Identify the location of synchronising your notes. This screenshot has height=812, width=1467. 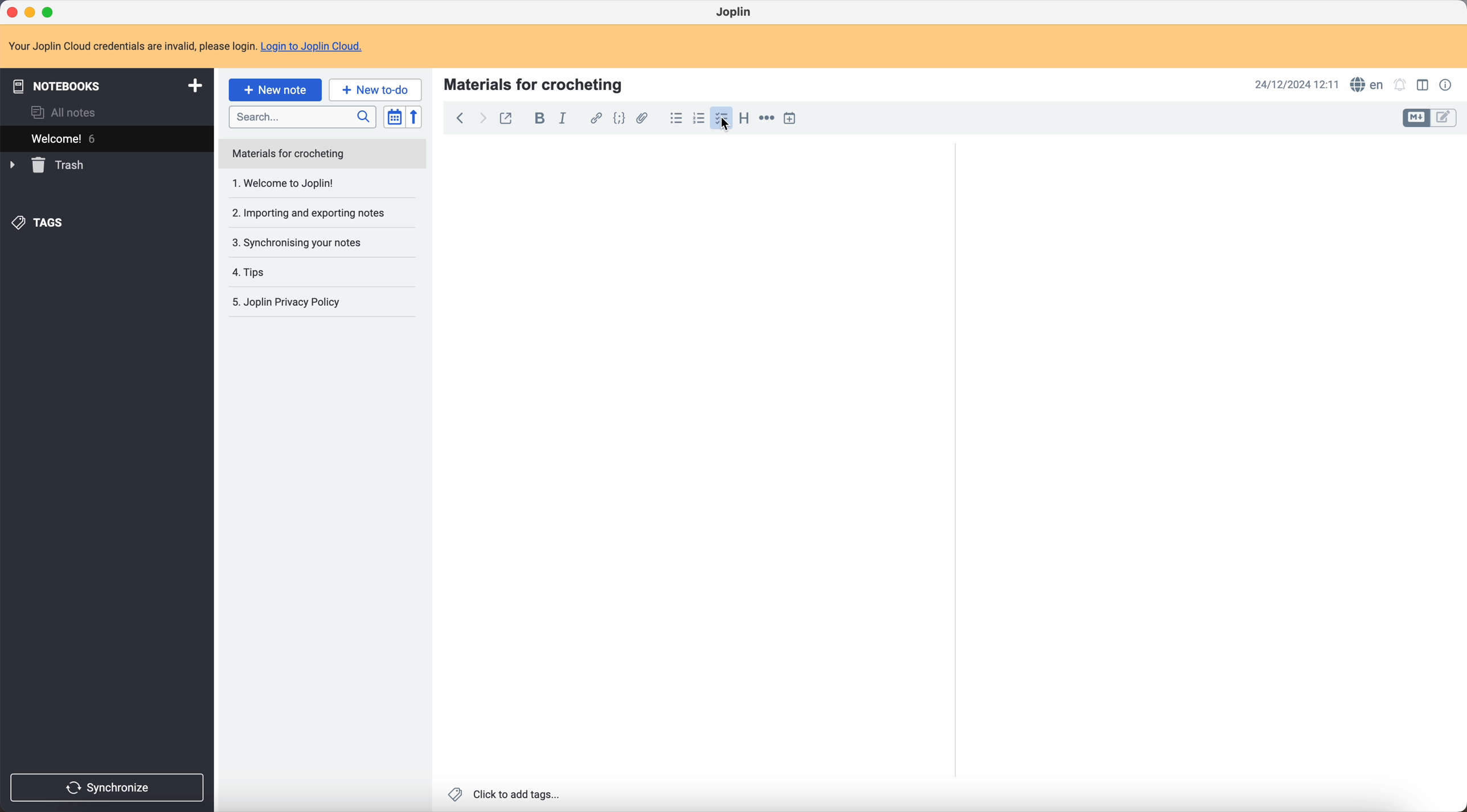
(315, 242).